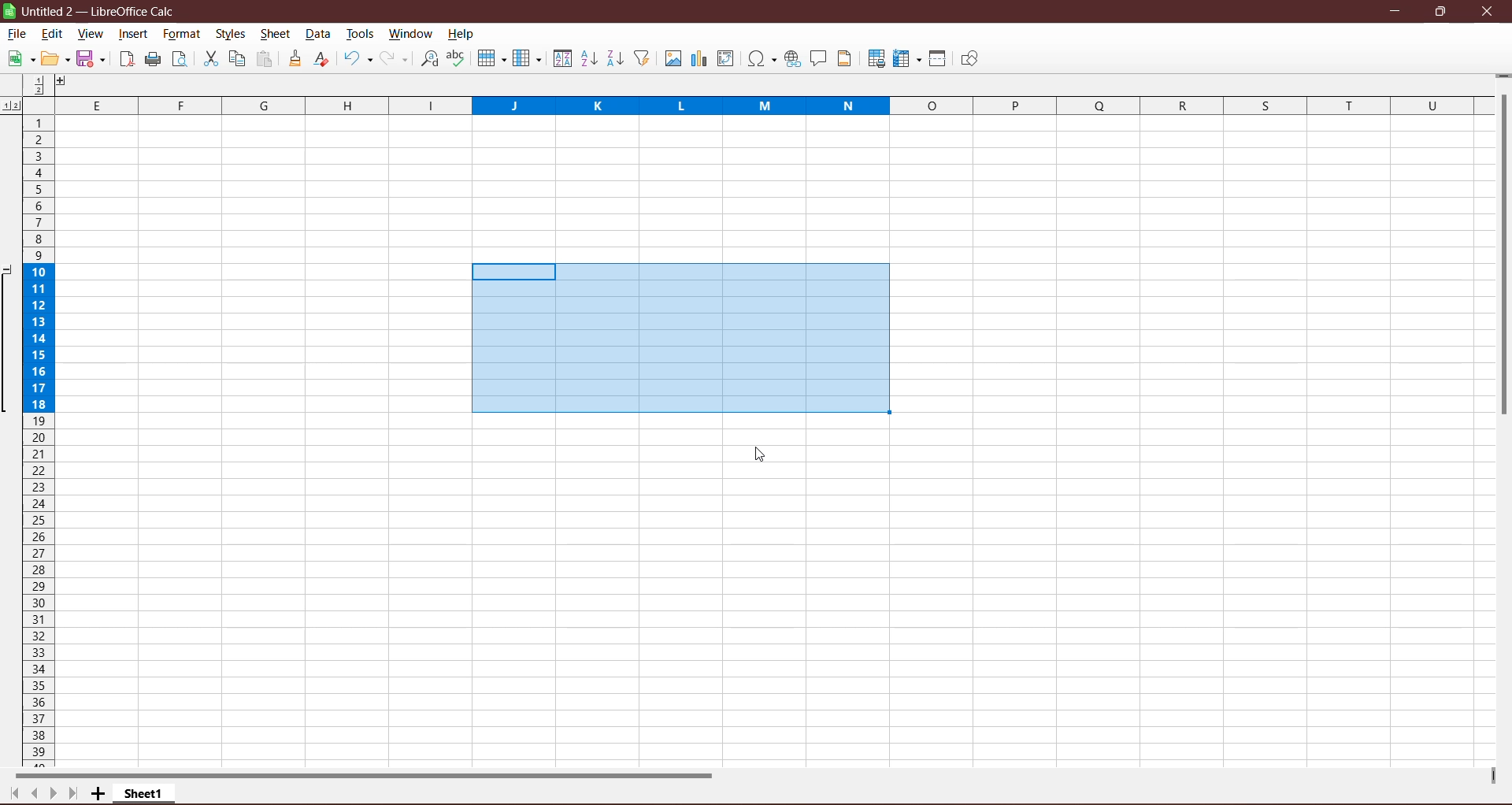  Describe the element at coordinates (134, 34) in the screenshot. I see `Insert` at that location.